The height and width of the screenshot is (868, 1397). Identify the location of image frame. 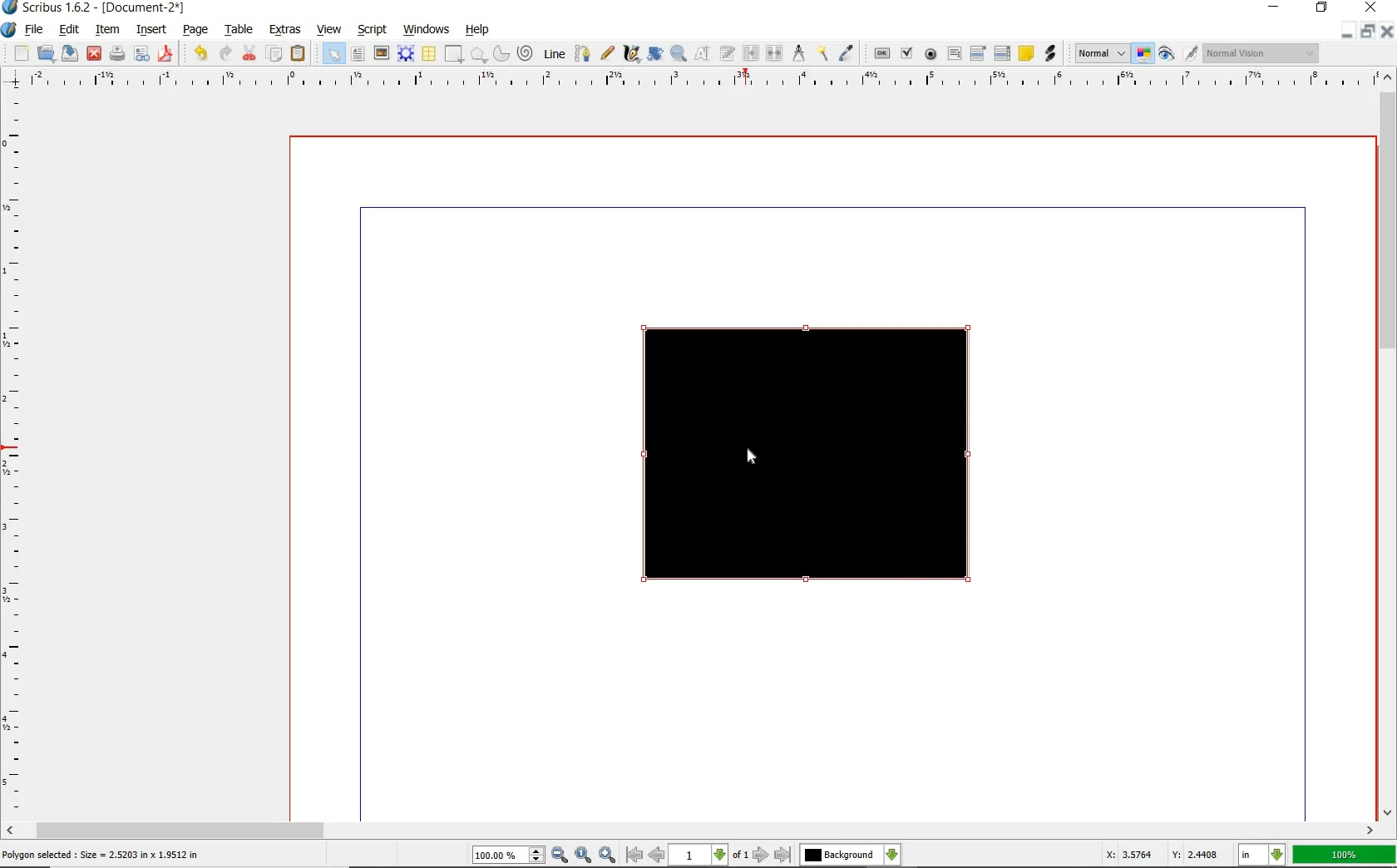
(383, 54).